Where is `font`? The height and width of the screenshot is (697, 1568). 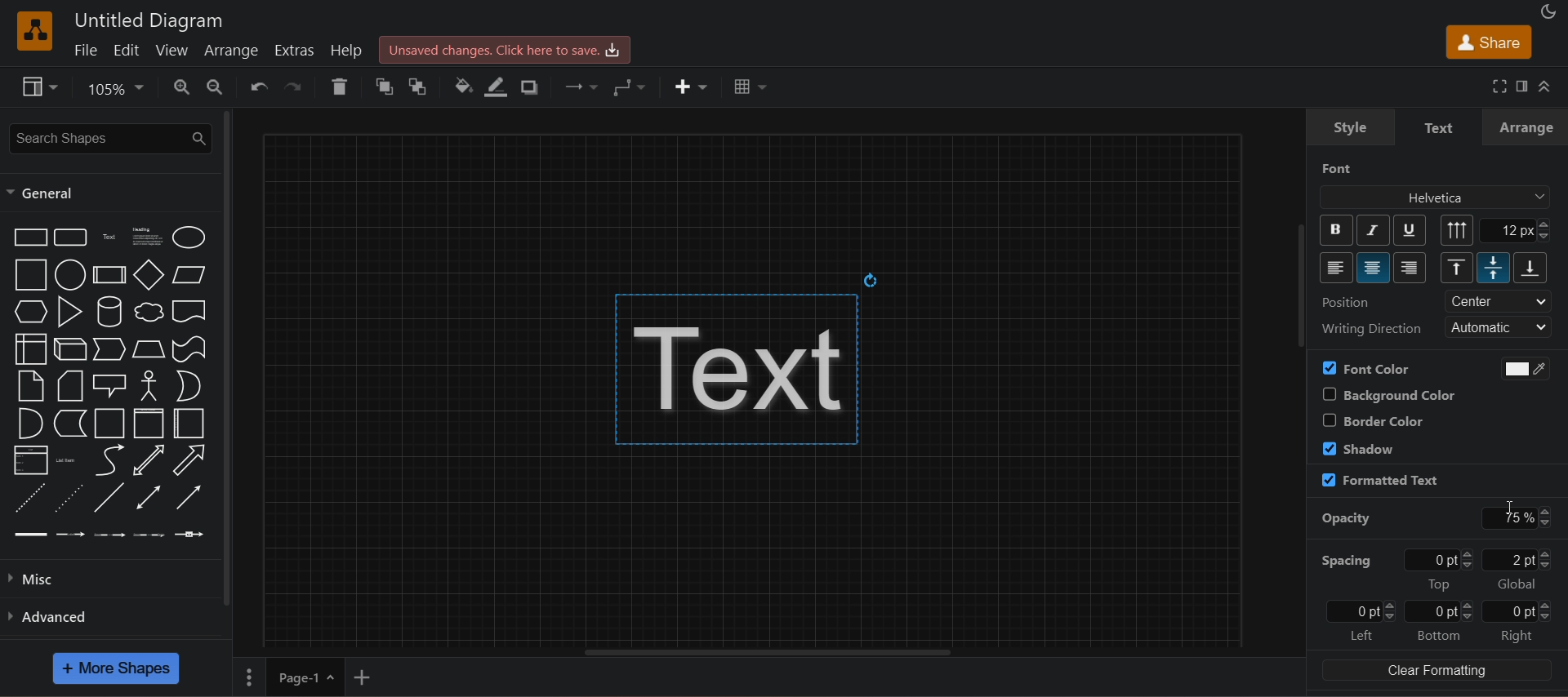 font is located at coordinates (1338, 168).